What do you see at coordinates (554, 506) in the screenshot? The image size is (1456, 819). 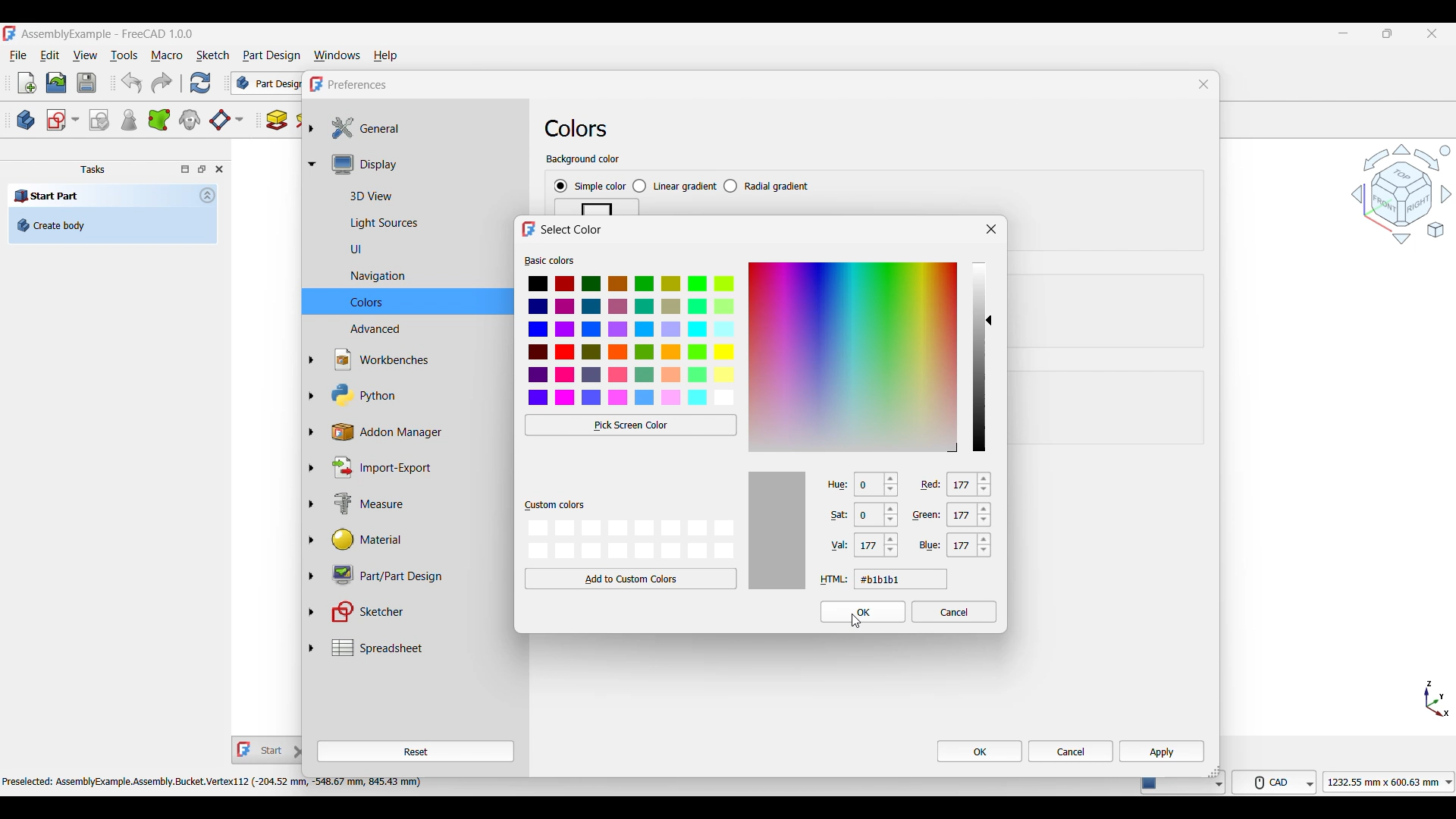 I see `custom colors` at bounding box center [554, 506].